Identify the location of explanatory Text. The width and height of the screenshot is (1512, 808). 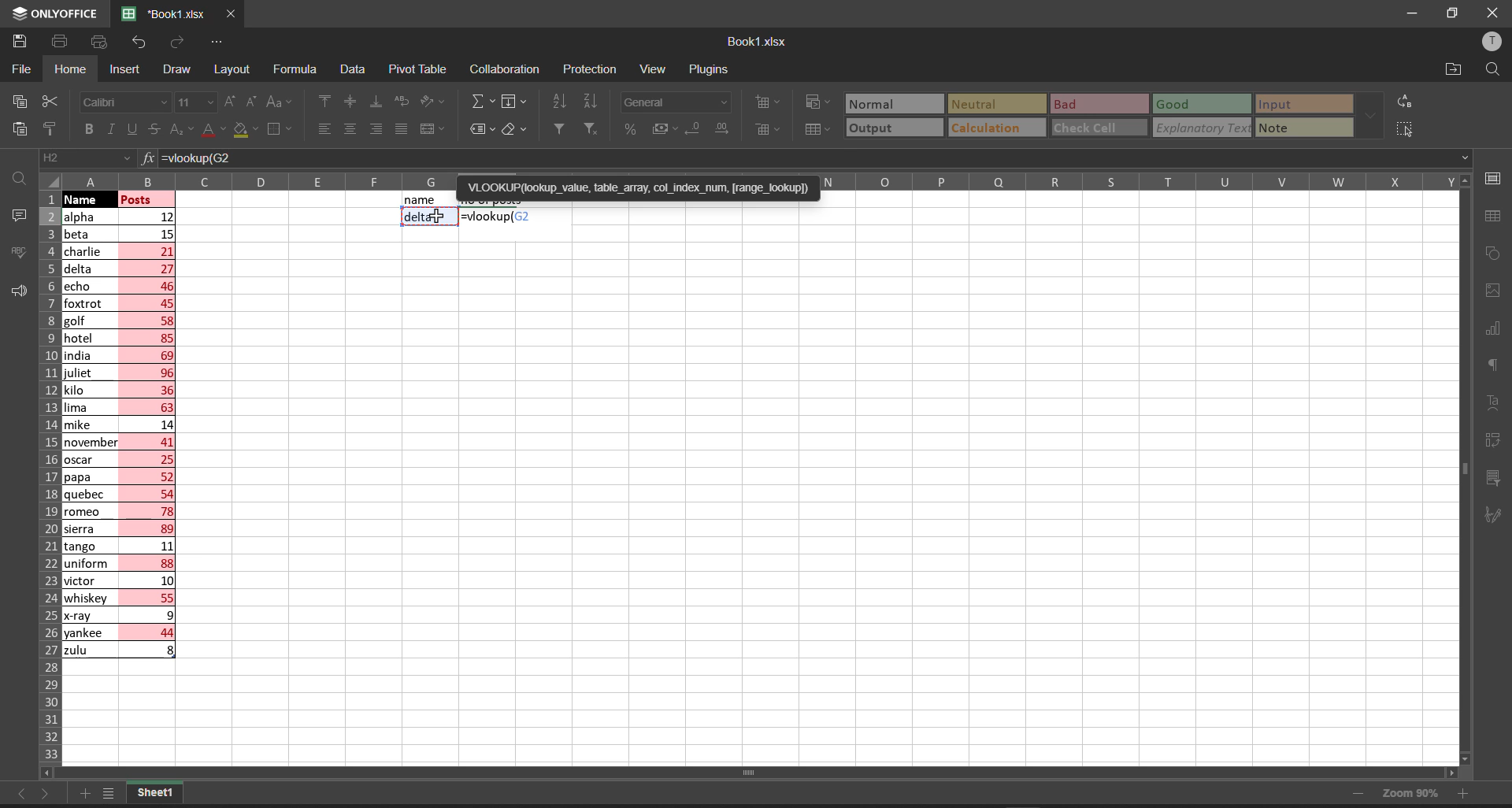
(1200, 128).